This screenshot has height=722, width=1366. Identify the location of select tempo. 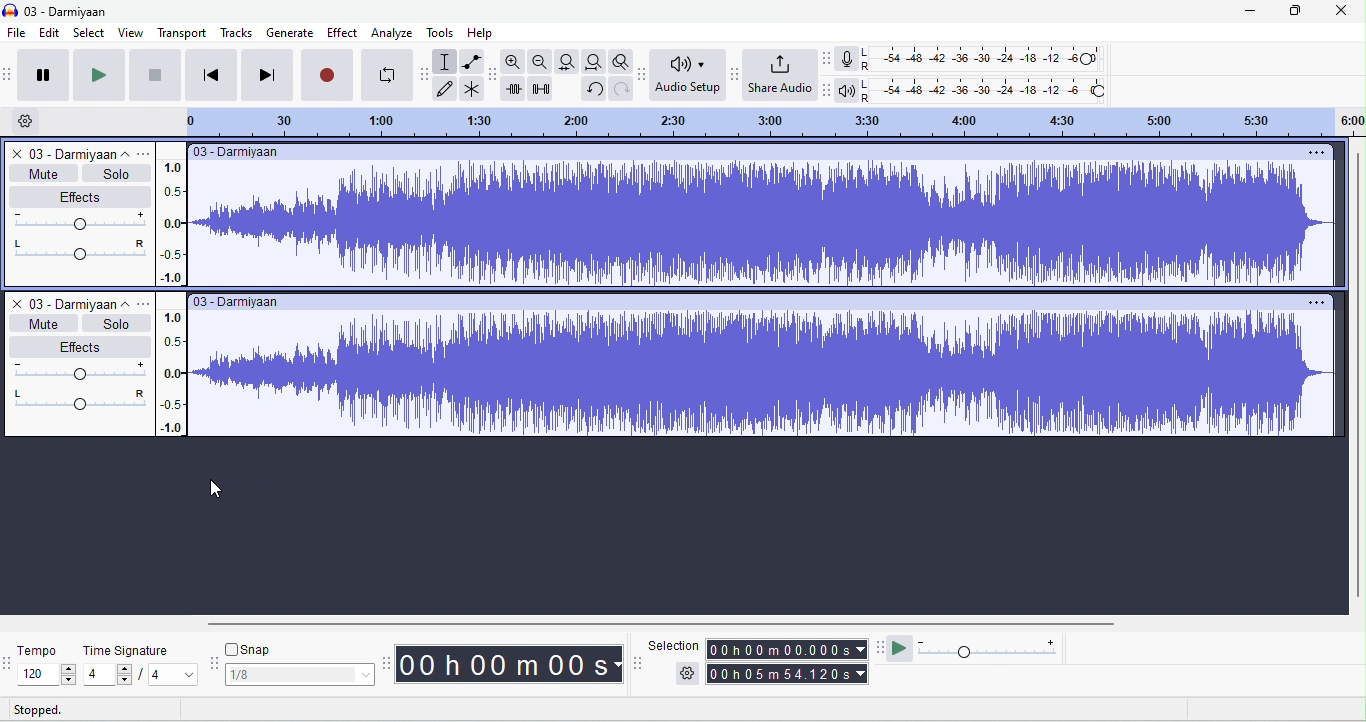
(42, 676).